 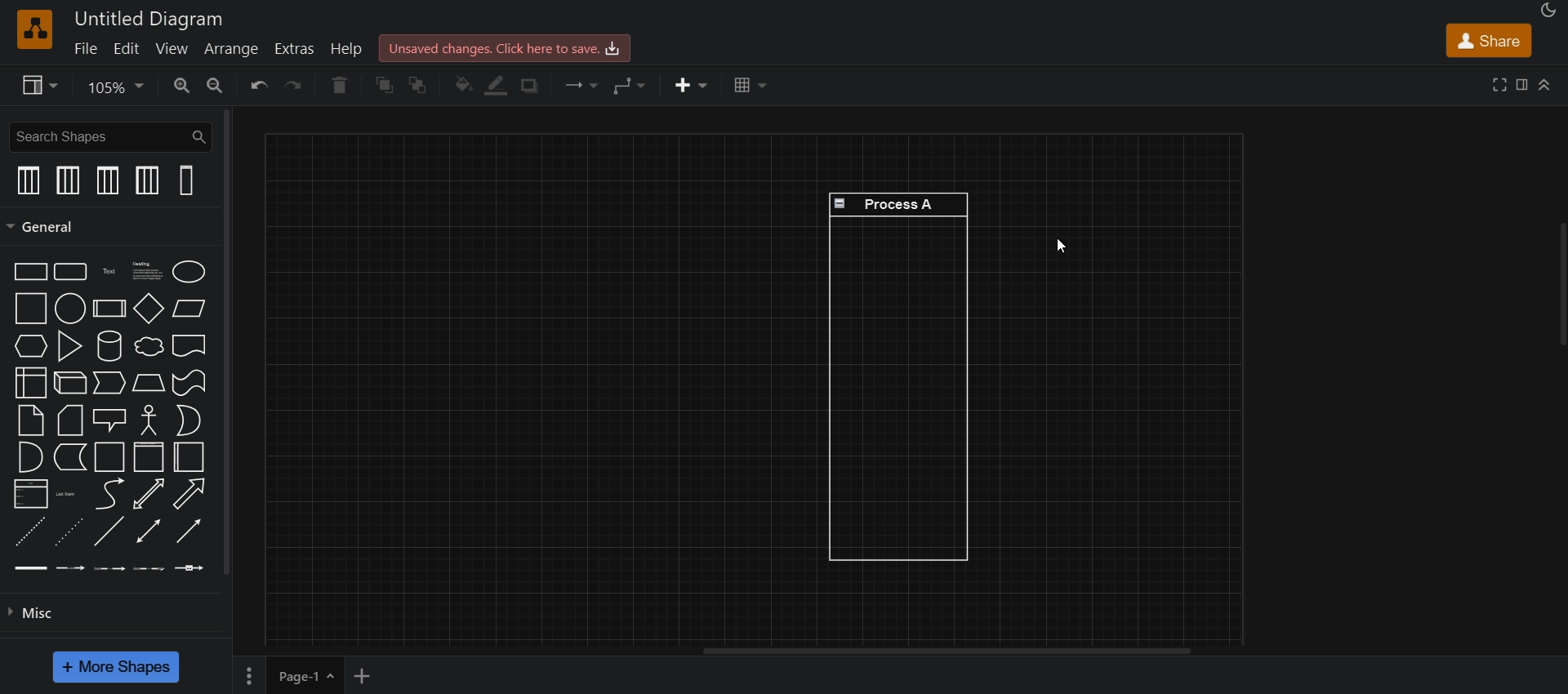 I want to click on list item, so click(x=69, y=493).